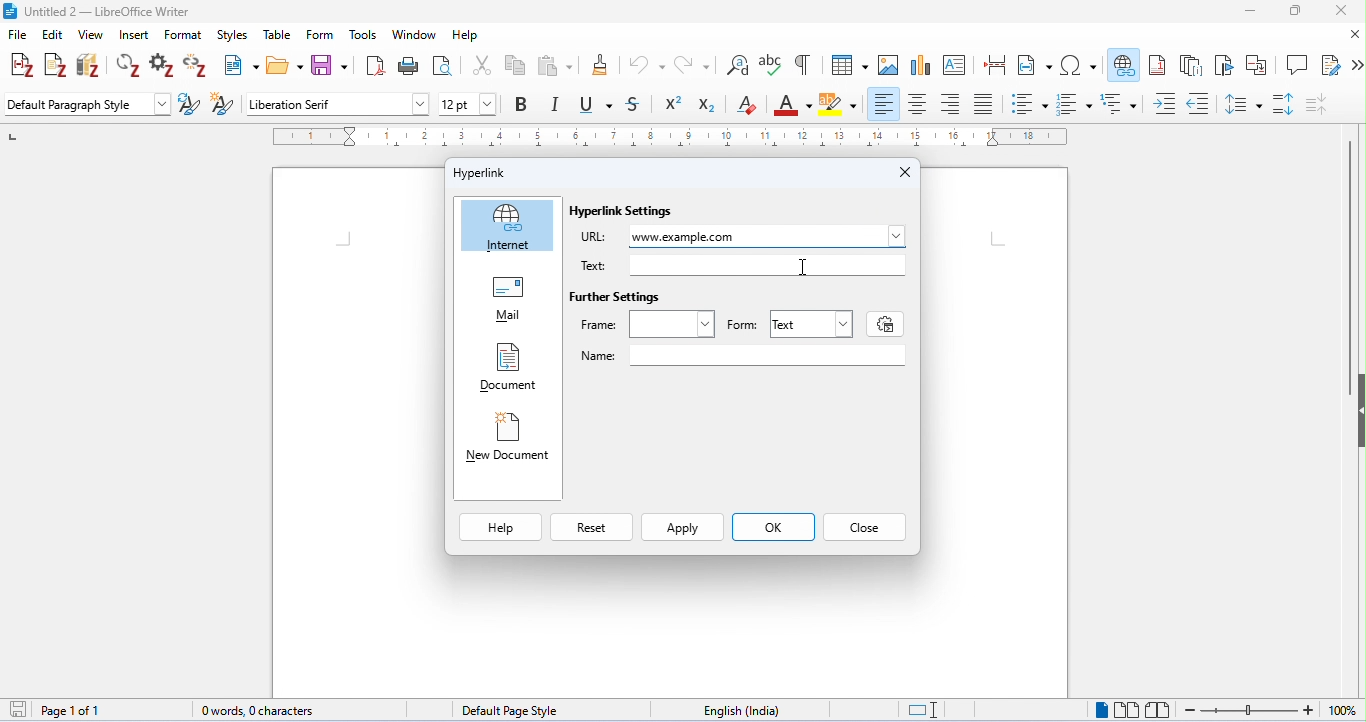  Describe the element at coordinates (920, 711) in the screenshot. I see `standard selection` at that location.